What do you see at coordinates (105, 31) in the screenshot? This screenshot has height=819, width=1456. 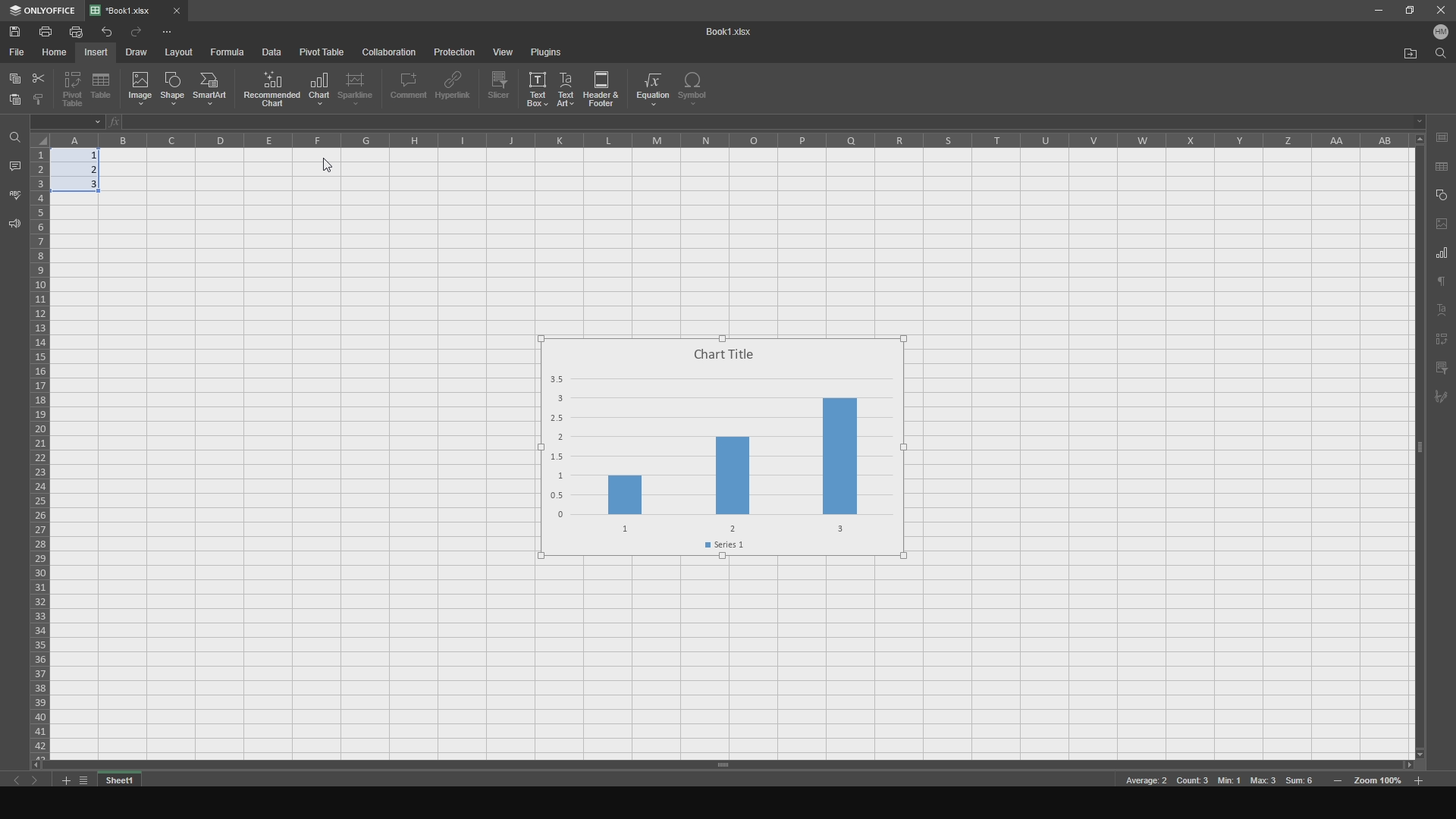 I see `undo` at bounding box center [105, 31].